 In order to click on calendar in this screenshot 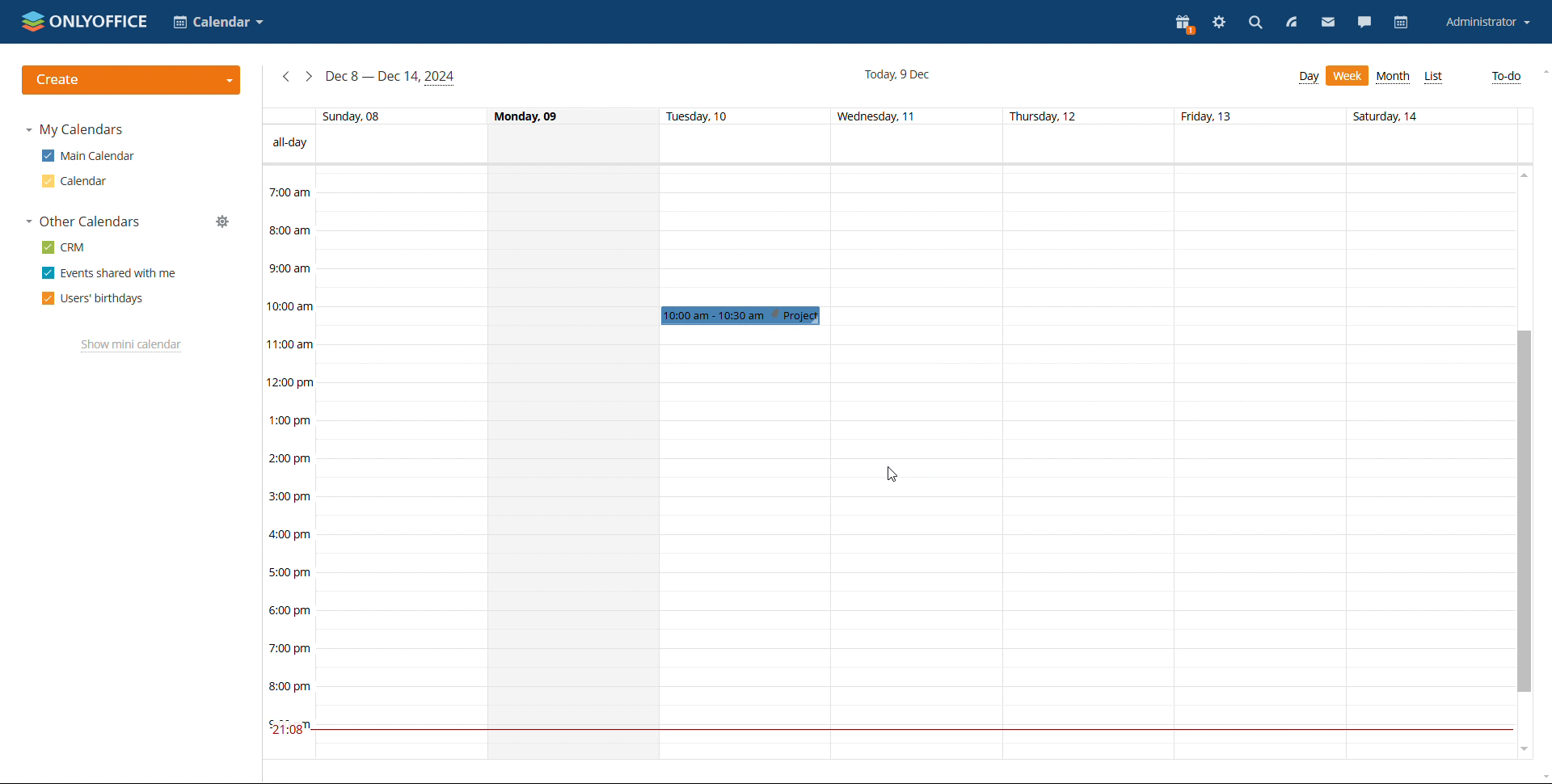, I will do `click(1401, 23)`.